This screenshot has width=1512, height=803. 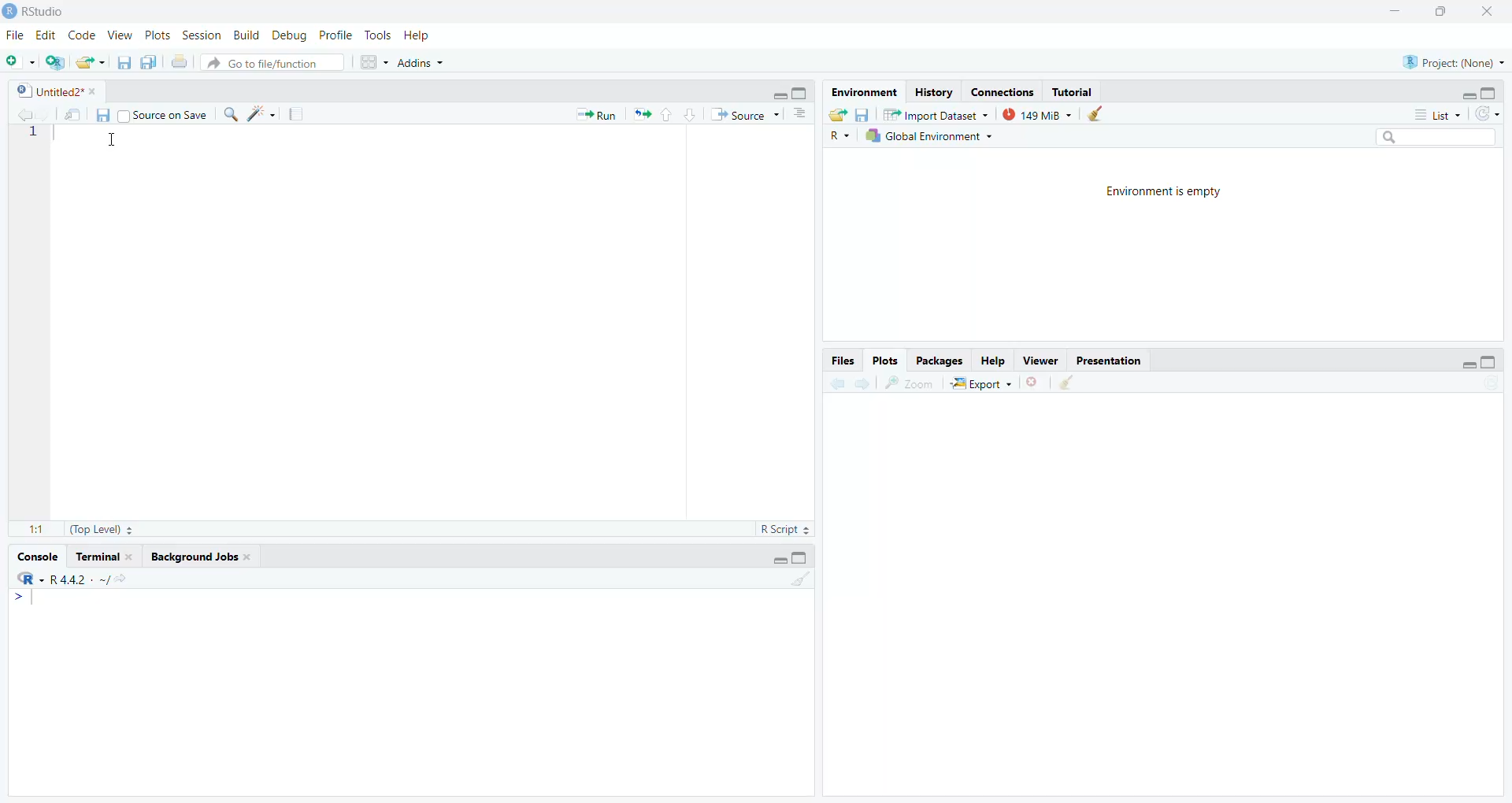 I want to click on Miniimize, so click(x=1394, y=10).